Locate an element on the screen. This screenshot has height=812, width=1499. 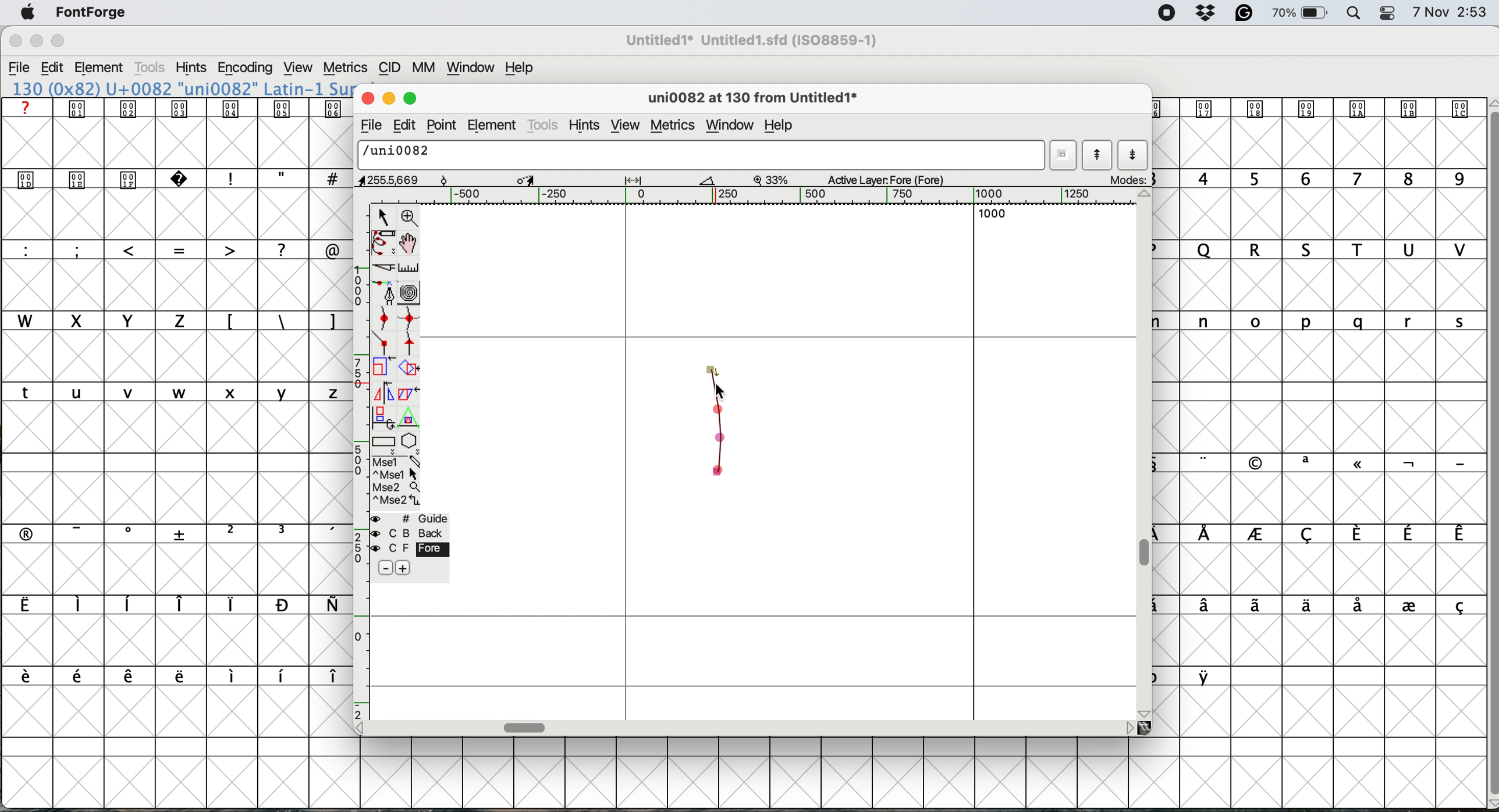
fontforge is located at coordinates (91, 12).